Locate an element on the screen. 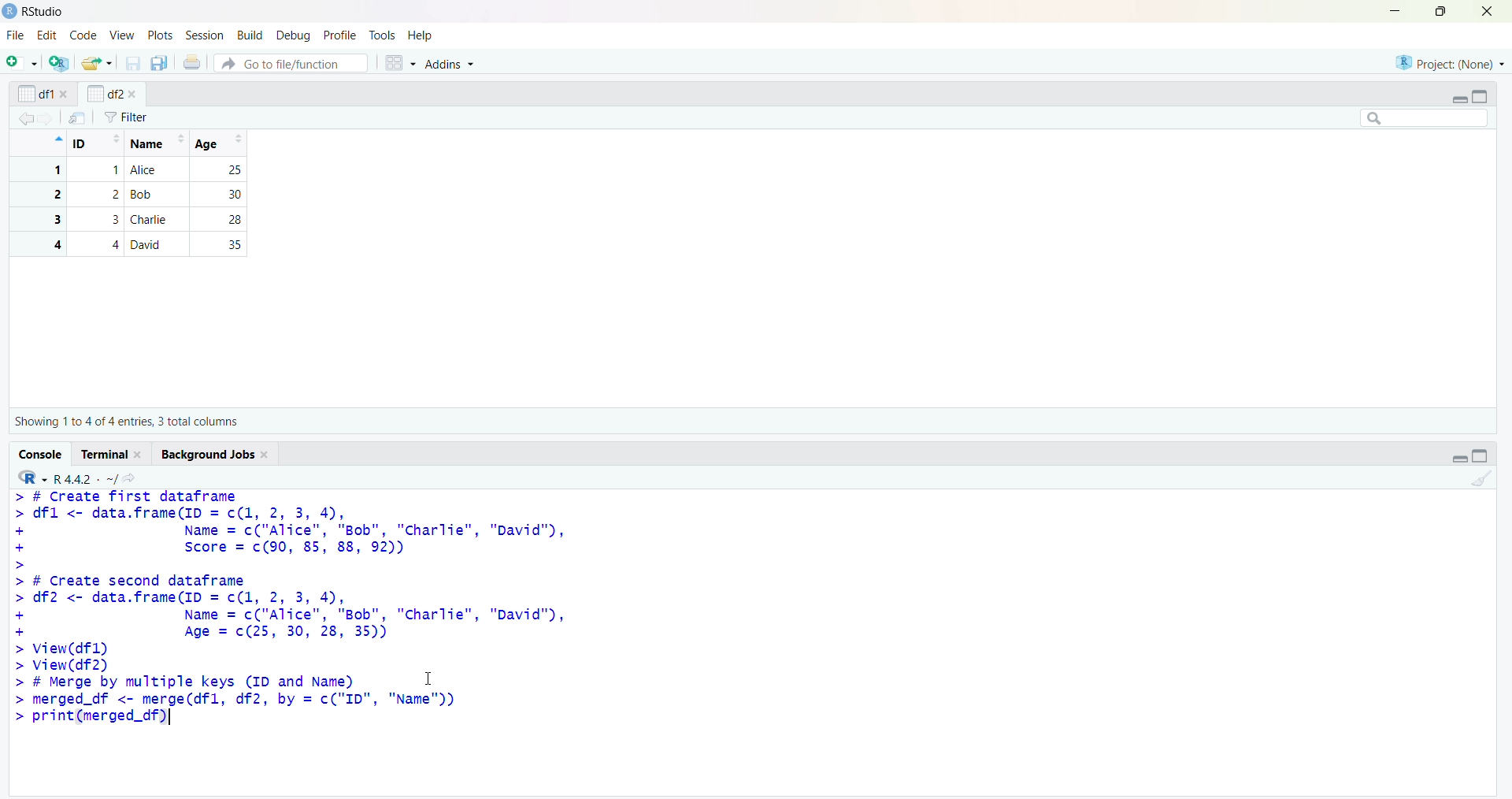  close is located at coordinates (132, 95).